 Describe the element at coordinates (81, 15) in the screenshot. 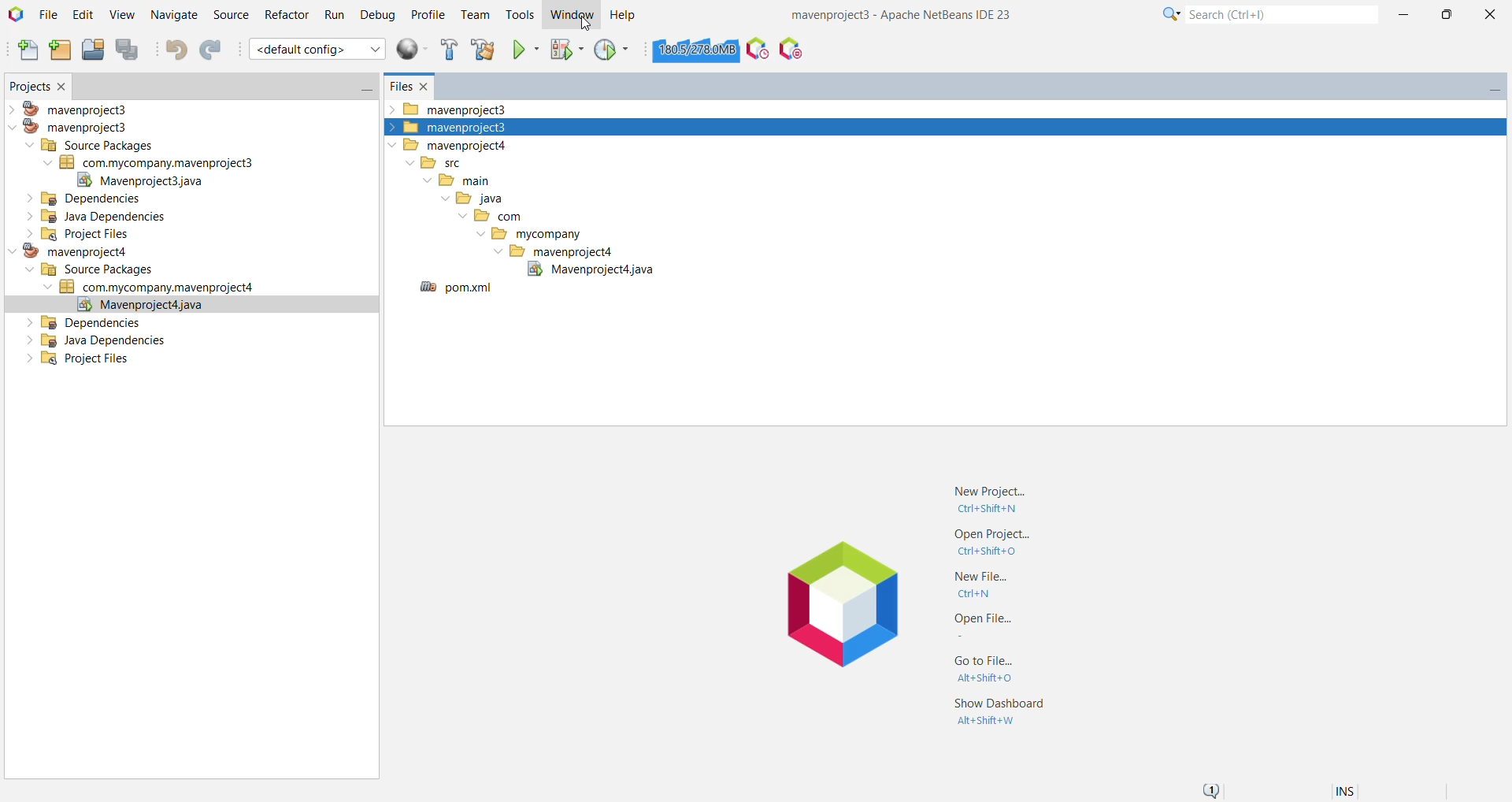

I see `Edit` at that location.